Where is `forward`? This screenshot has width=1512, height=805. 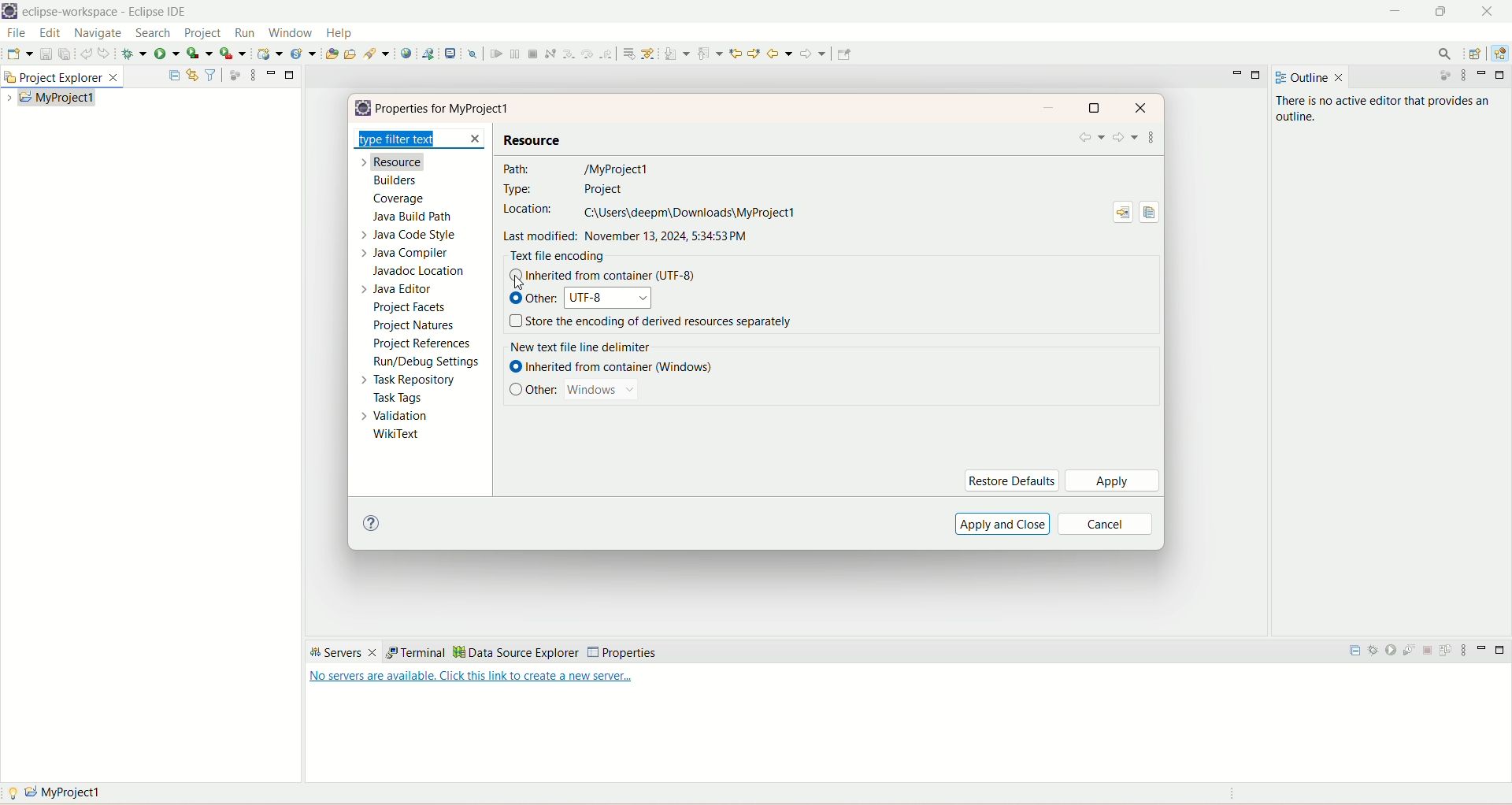
forward is located at coordinates (813, 54).